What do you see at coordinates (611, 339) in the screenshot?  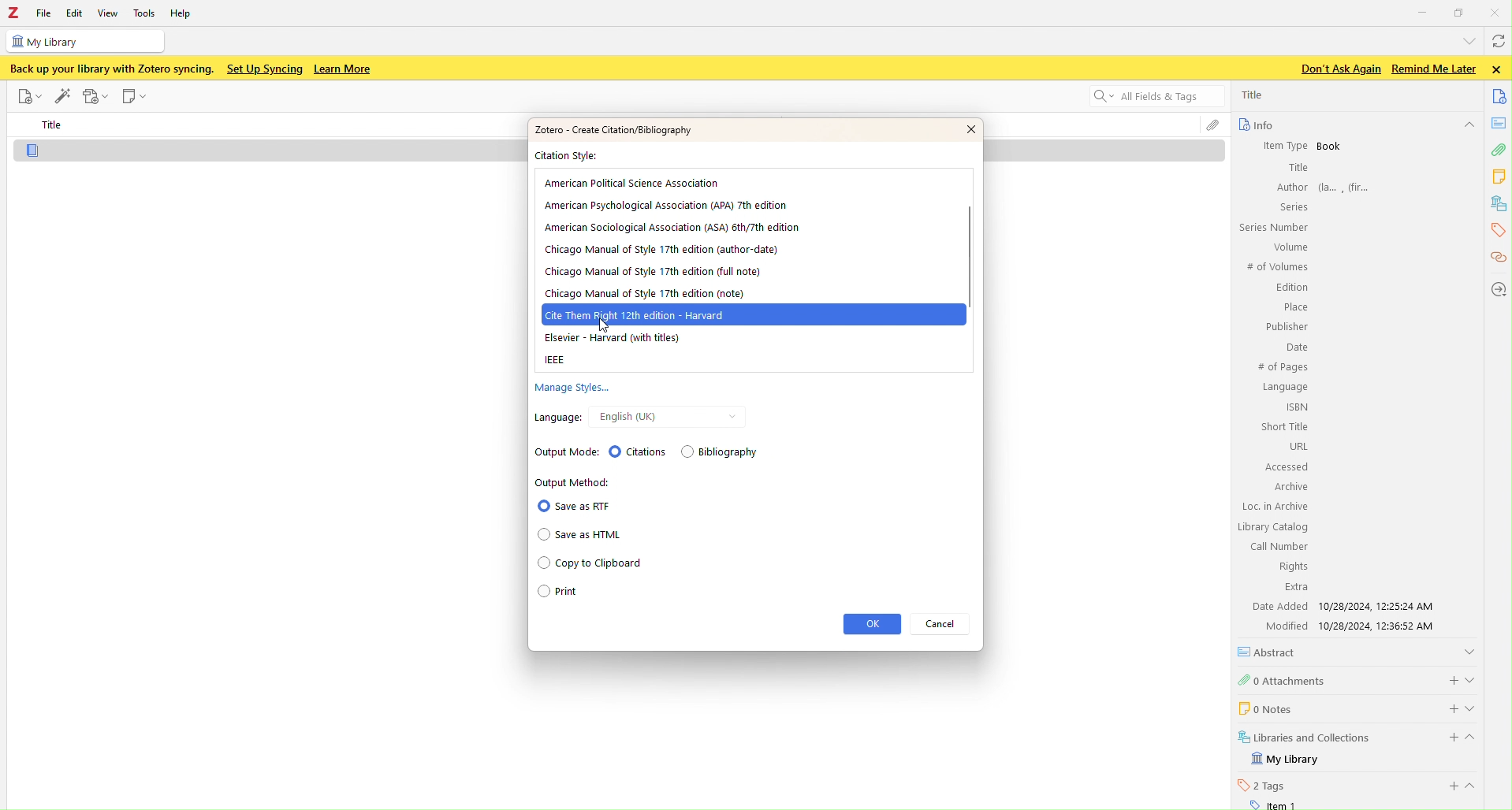 I see `Elsevier - Harvard (with titles)` at bounding box center [611, 339].